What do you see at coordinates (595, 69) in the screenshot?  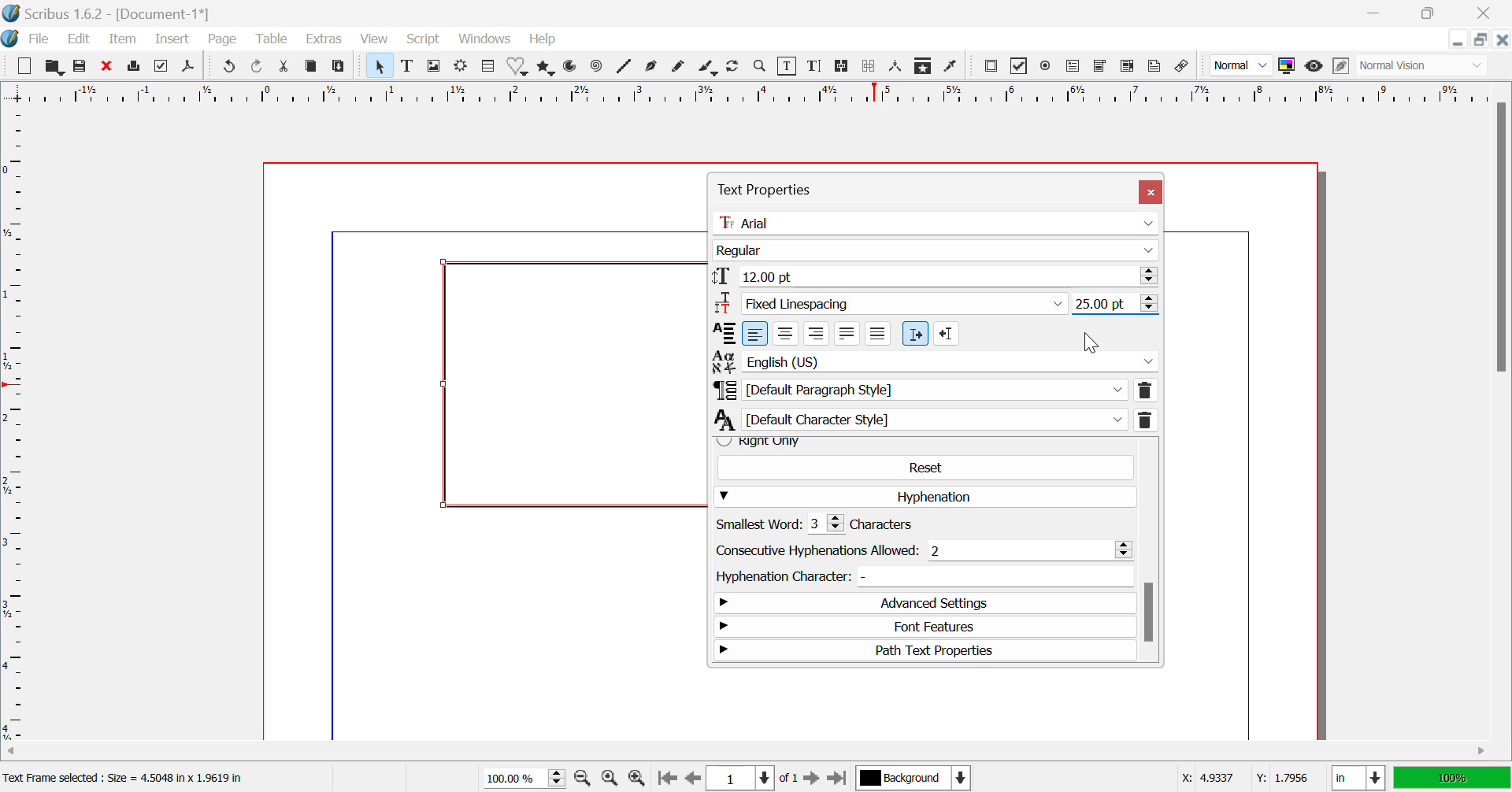 I see `Spiral` at bounding box center [595, 69].